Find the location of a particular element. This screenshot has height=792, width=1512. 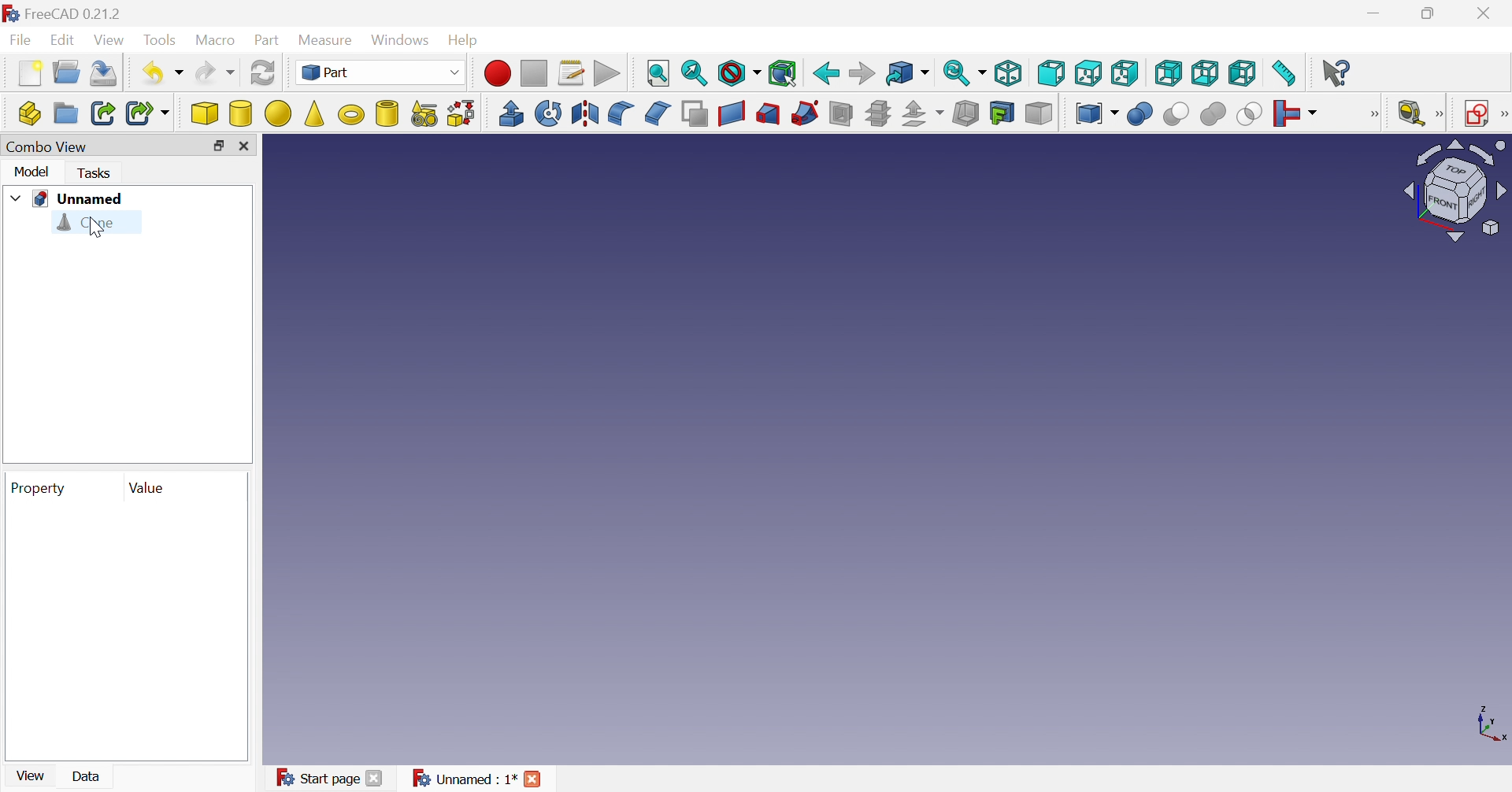

Union is located at coordinates (1215, 113).